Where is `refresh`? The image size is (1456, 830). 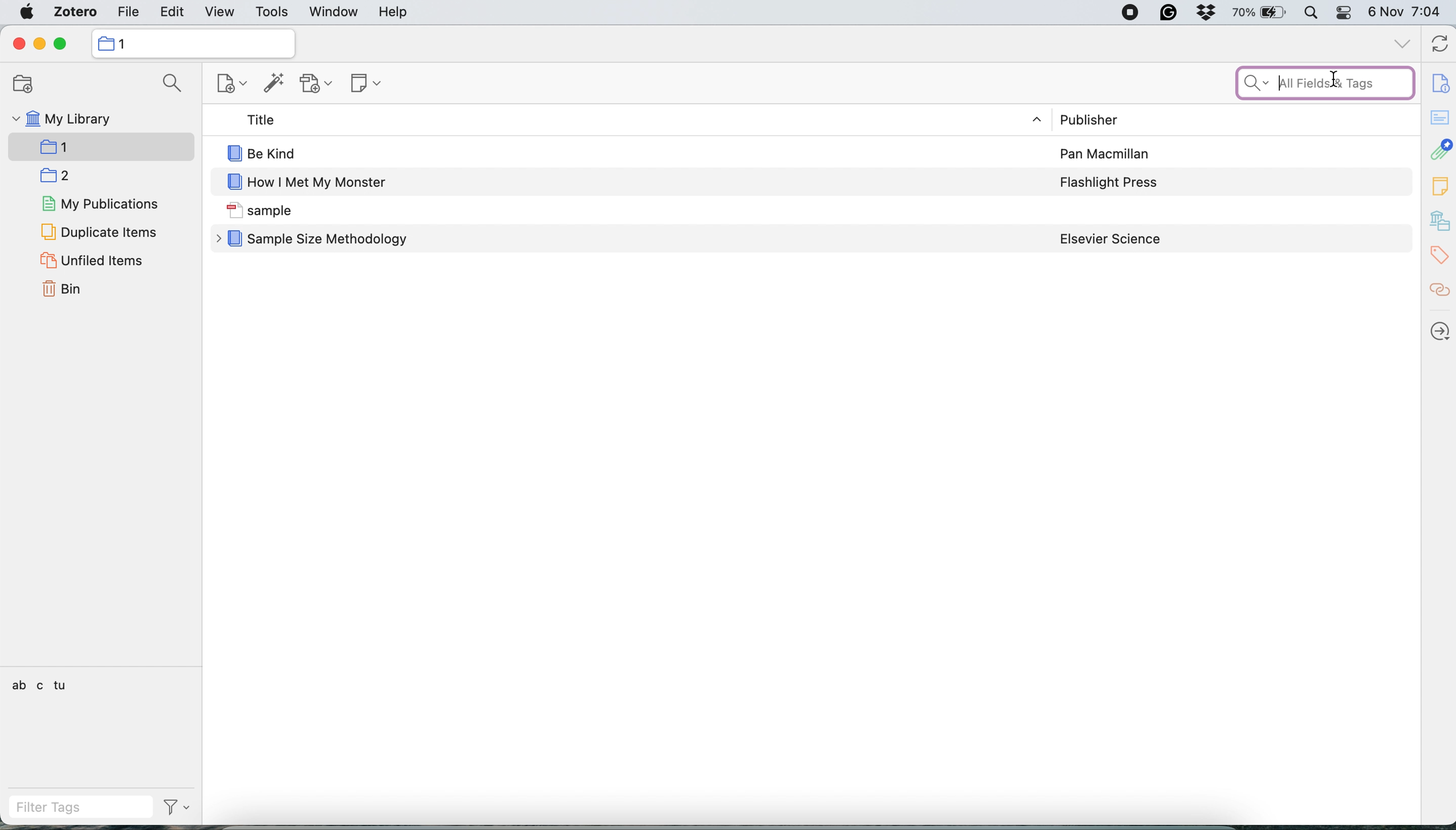
refresh is located at coordinates (1437, 44).